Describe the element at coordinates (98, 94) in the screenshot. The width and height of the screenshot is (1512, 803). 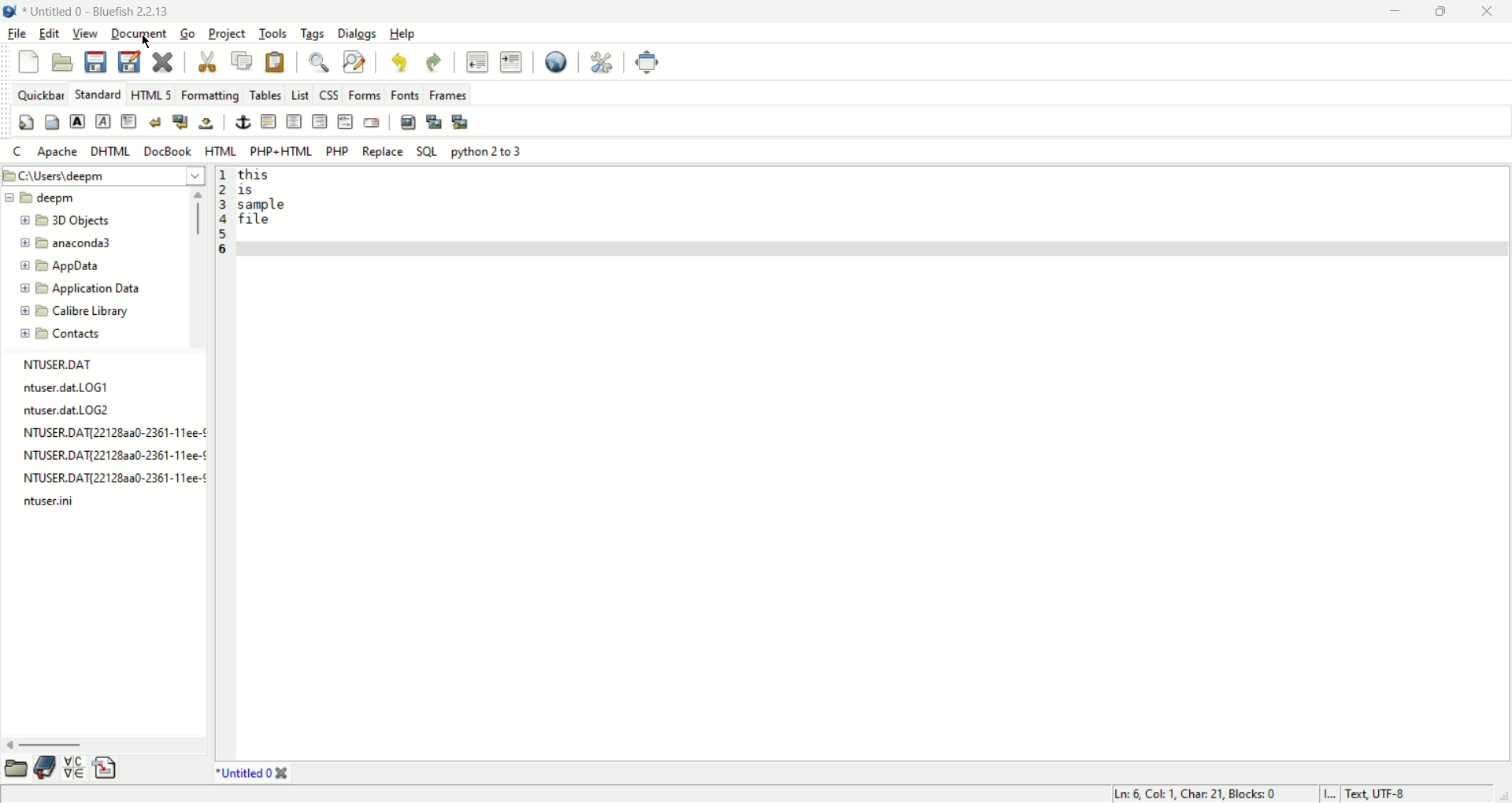
I see `STANDARD` at that location.